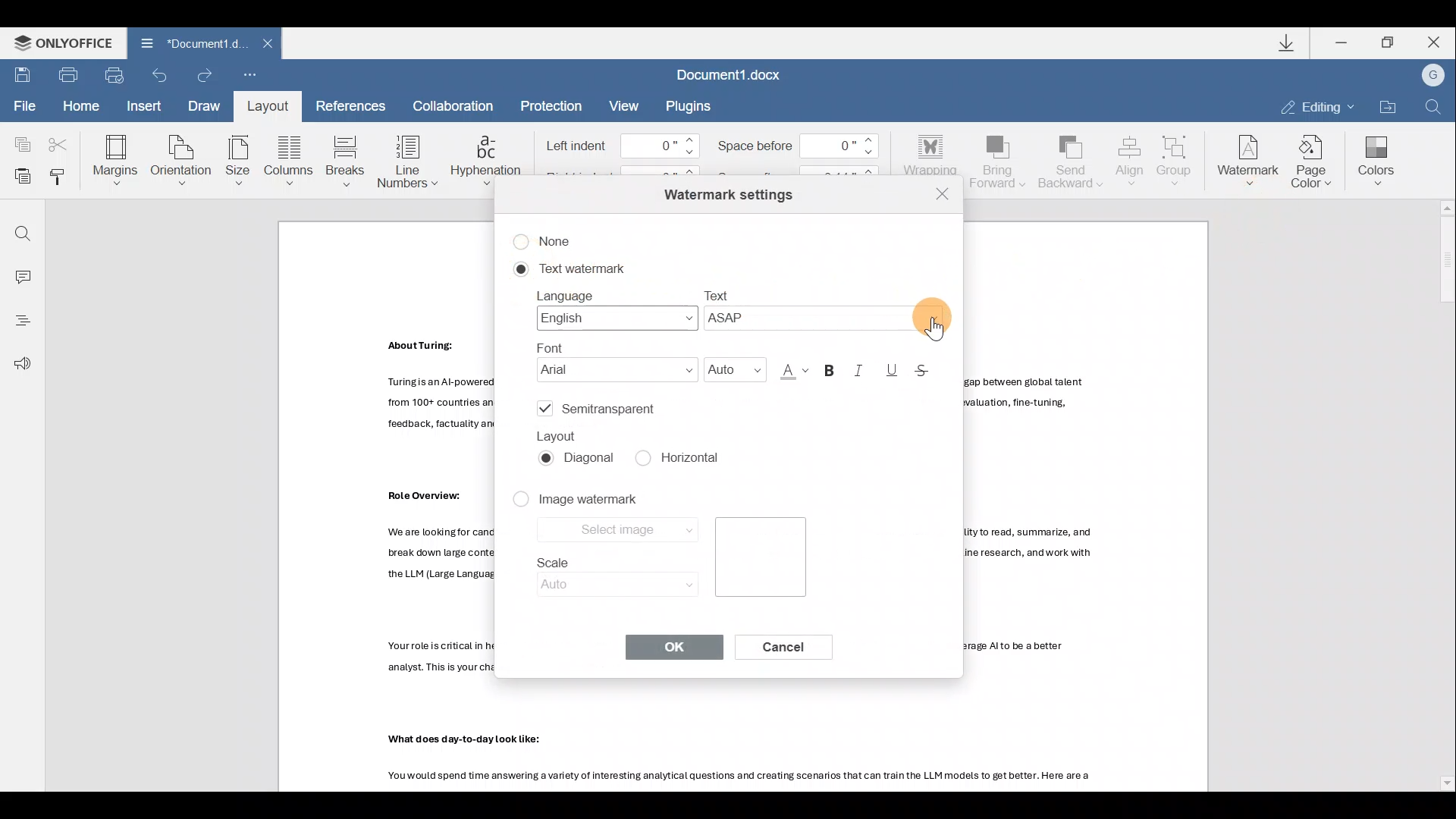 This screenshot has height=819, width=1456. I want to click on Draw, so click(205, 108).